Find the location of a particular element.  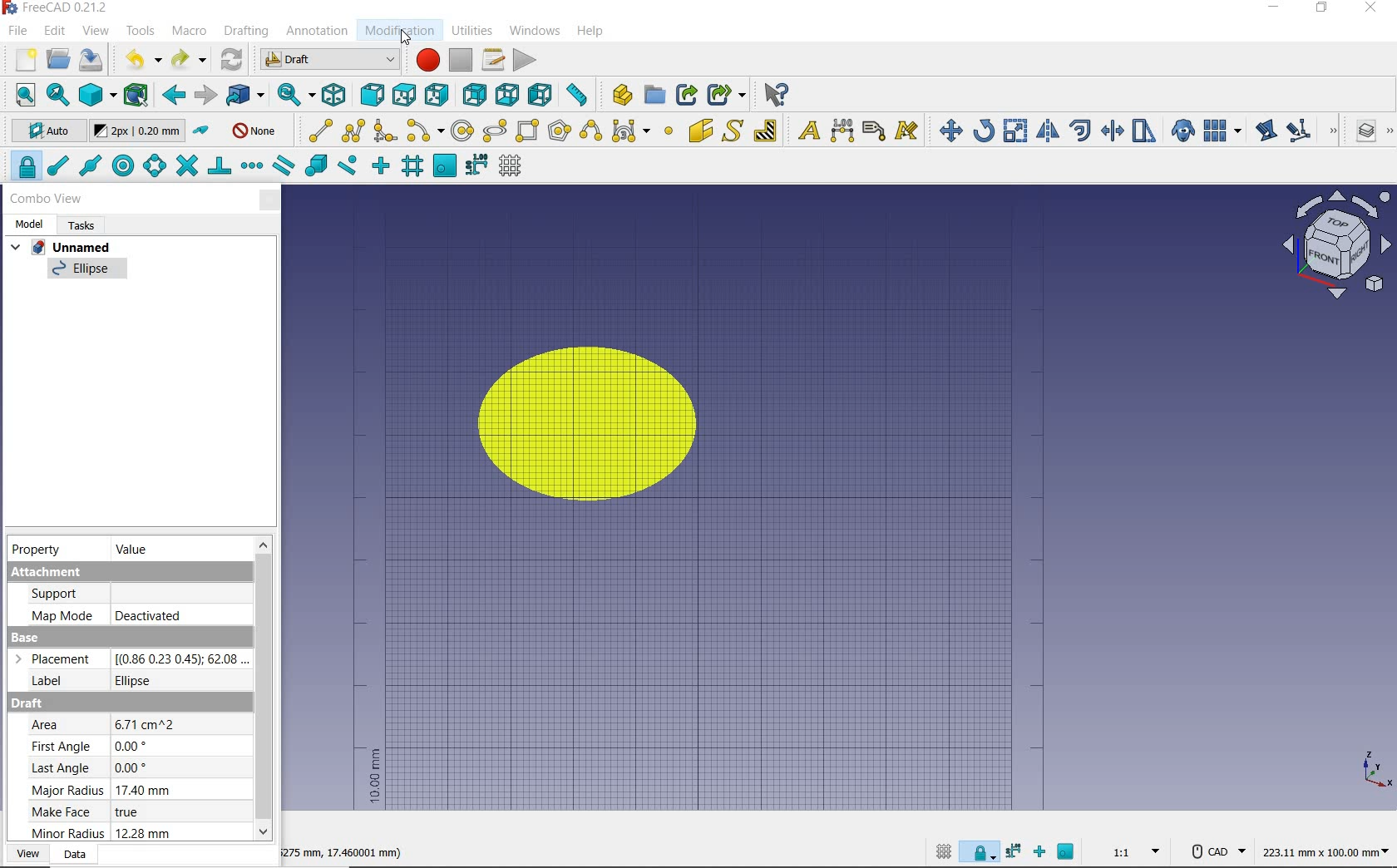

tools is located at coordinates (143, 32).